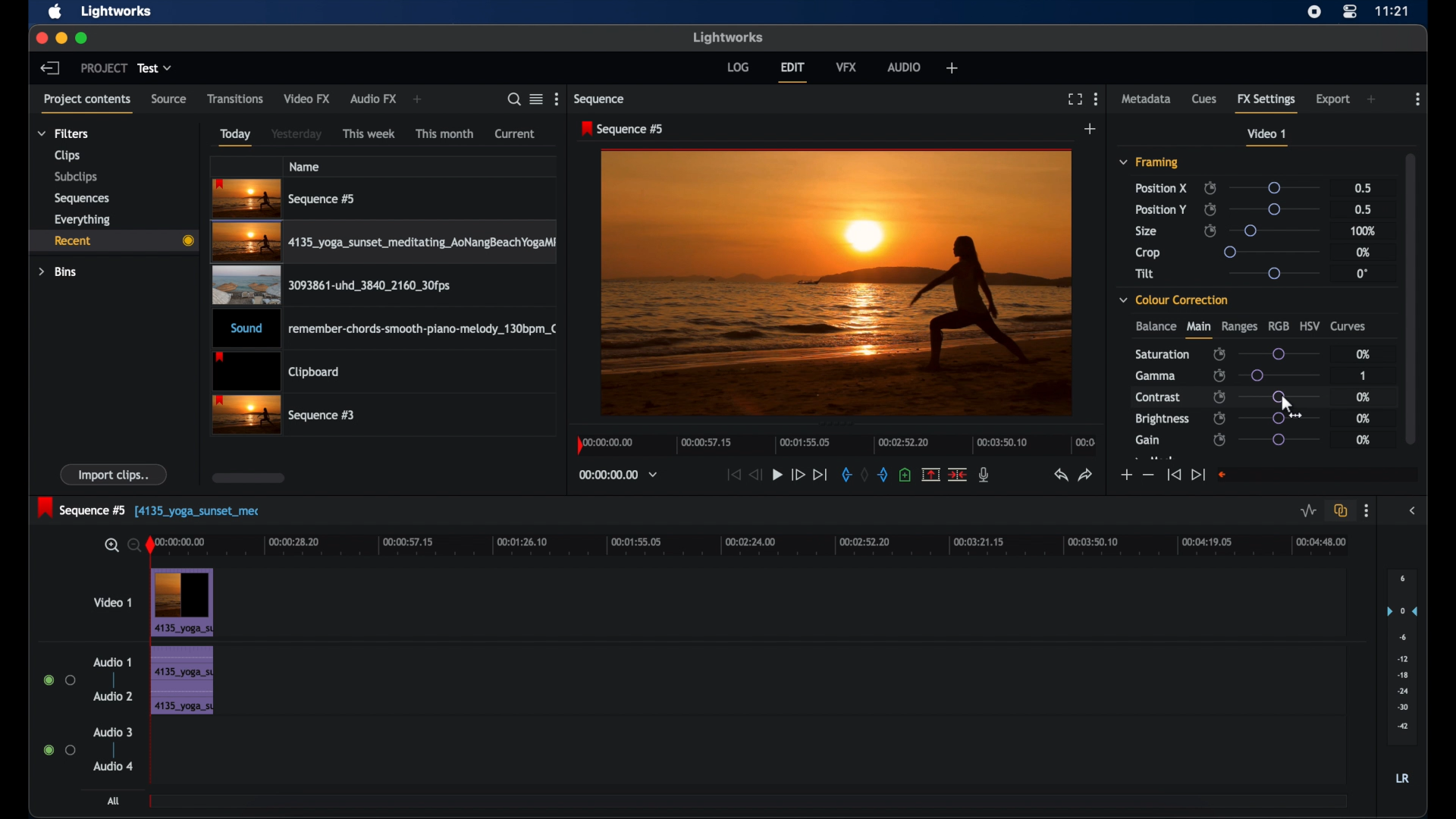  What do you see at coordinates (67, 156) in the screenshot?
I see `clips` at bounding box center [67, 156].